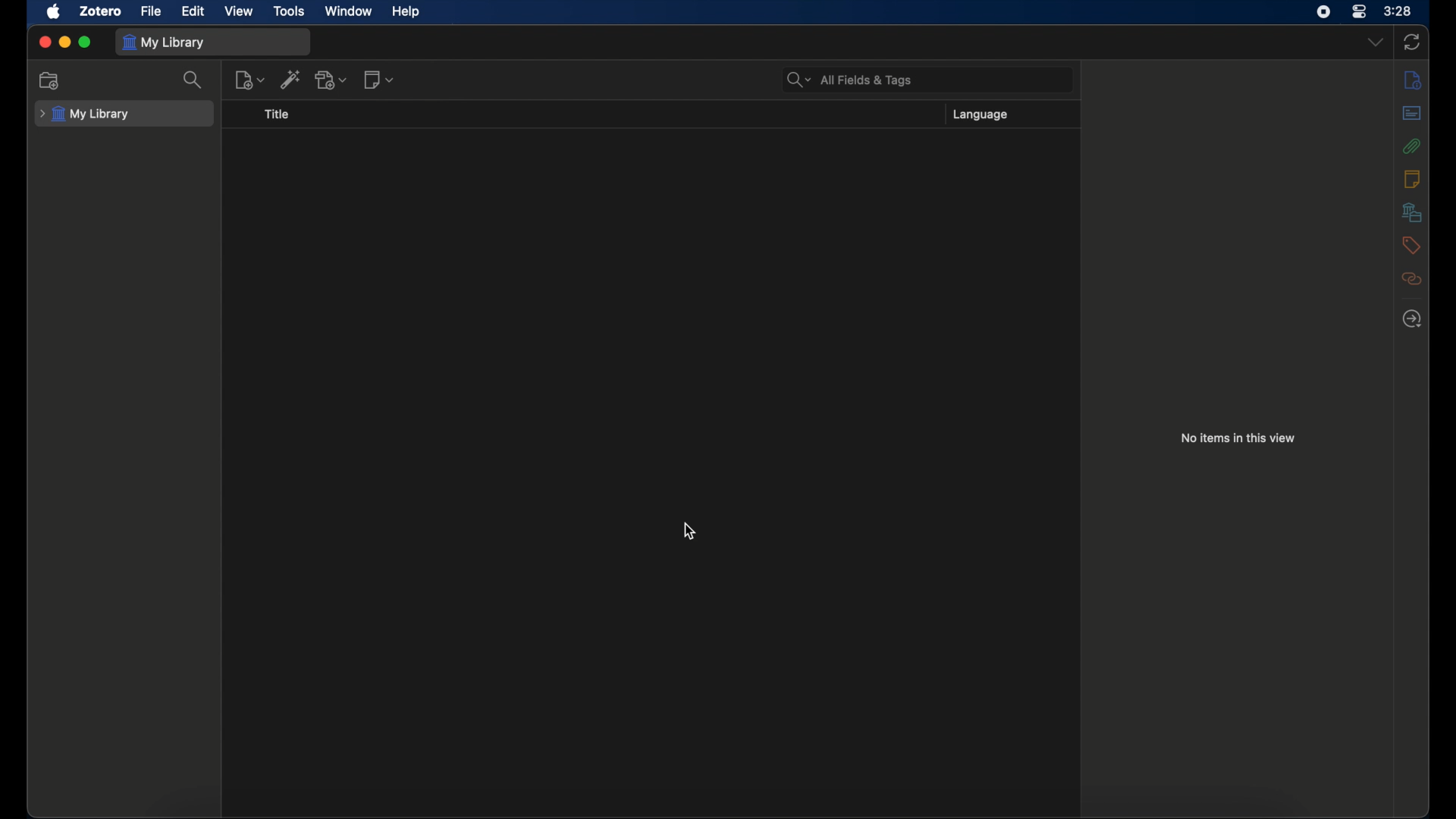 The height and width of the screenshot is (819, 1456). What do you see at coordinates (1411, 112) in the screenshot?
I see `abstract` at bounding box center [1411, 112].